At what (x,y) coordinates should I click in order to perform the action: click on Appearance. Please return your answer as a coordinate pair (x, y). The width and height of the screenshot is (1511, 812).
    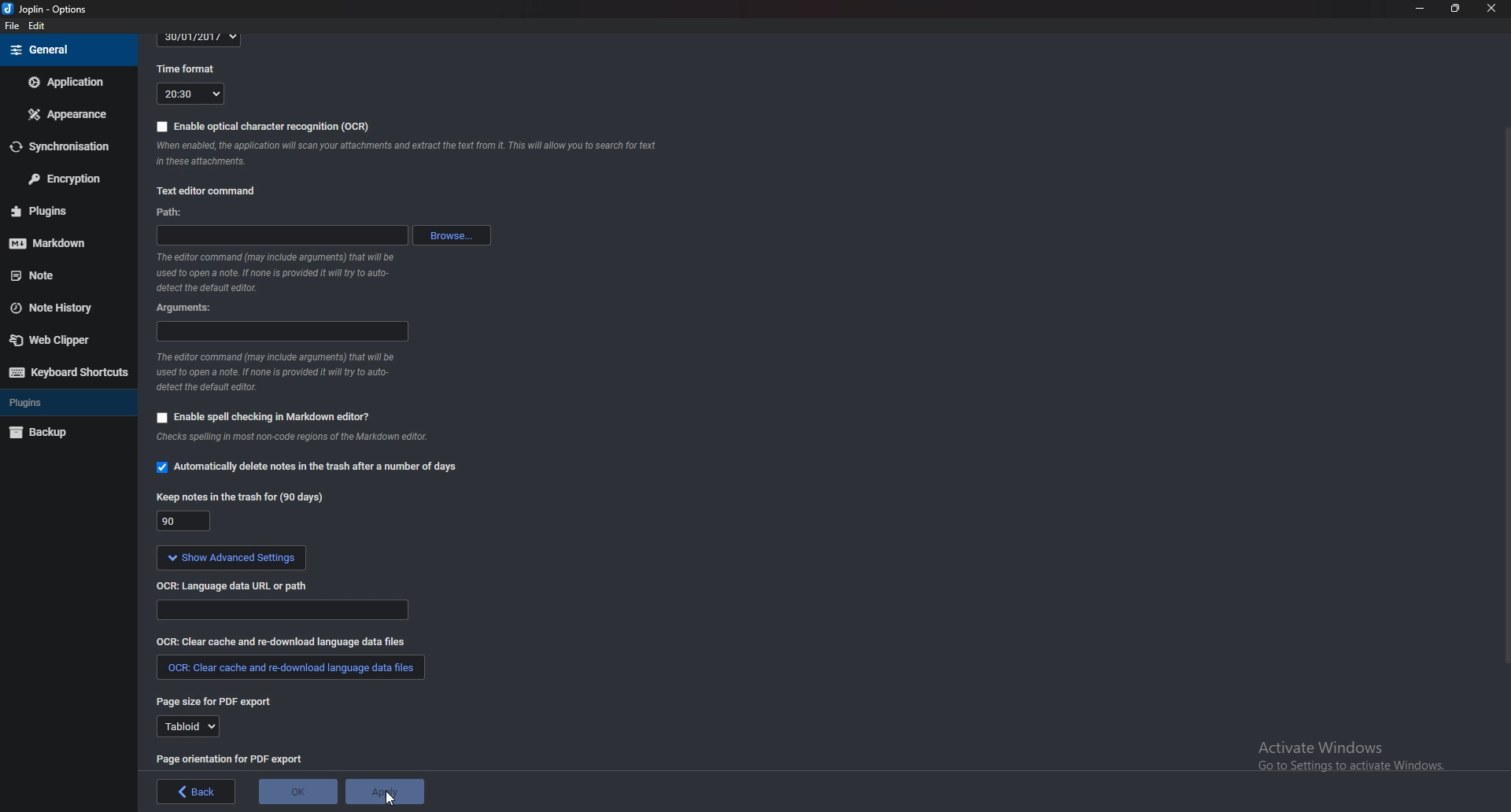
    Looking at the image, I should click on (65, 115).